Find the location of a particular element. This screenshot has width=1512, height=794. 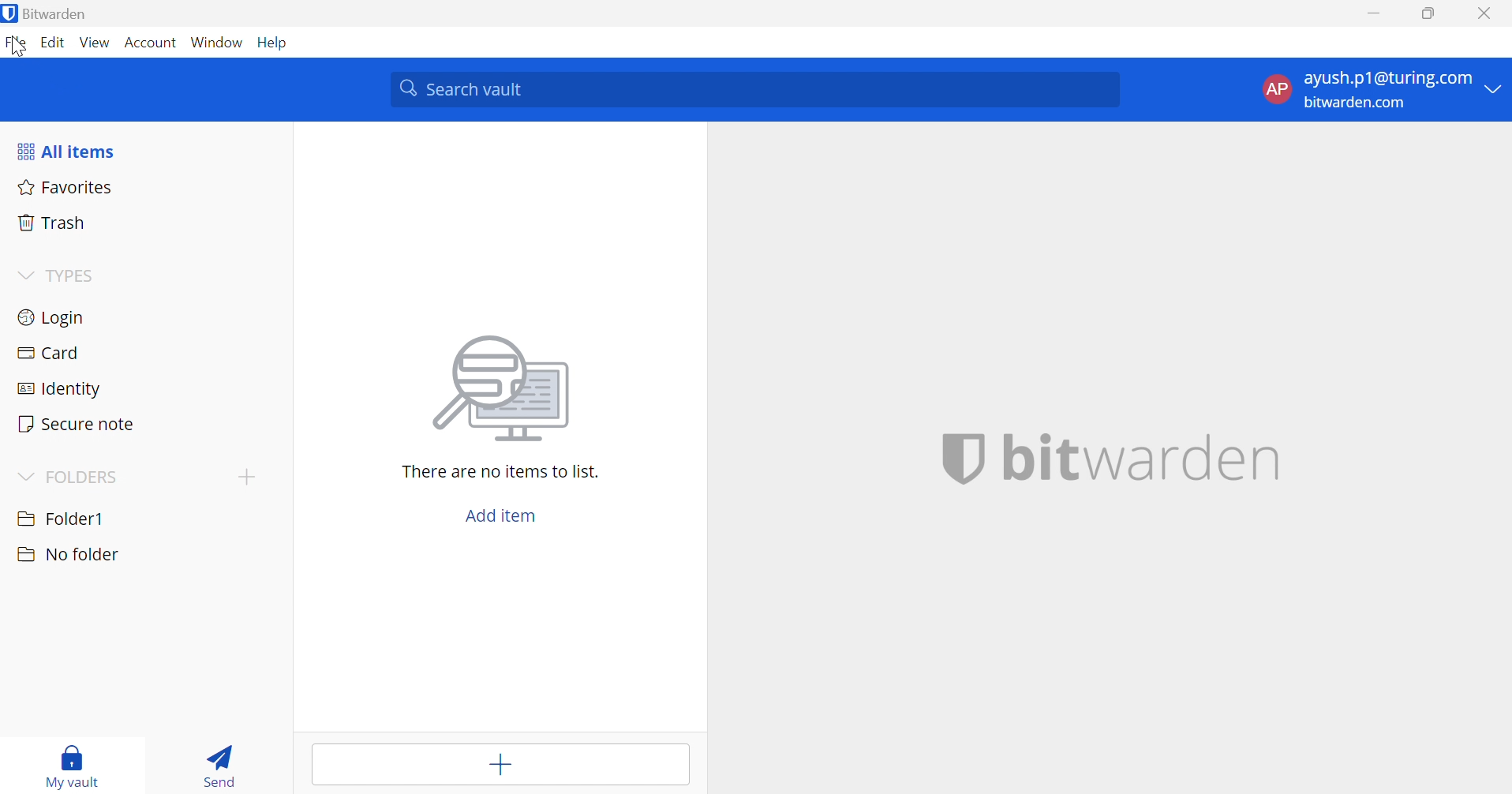

Folder1 is located at coordinates (60, 519).